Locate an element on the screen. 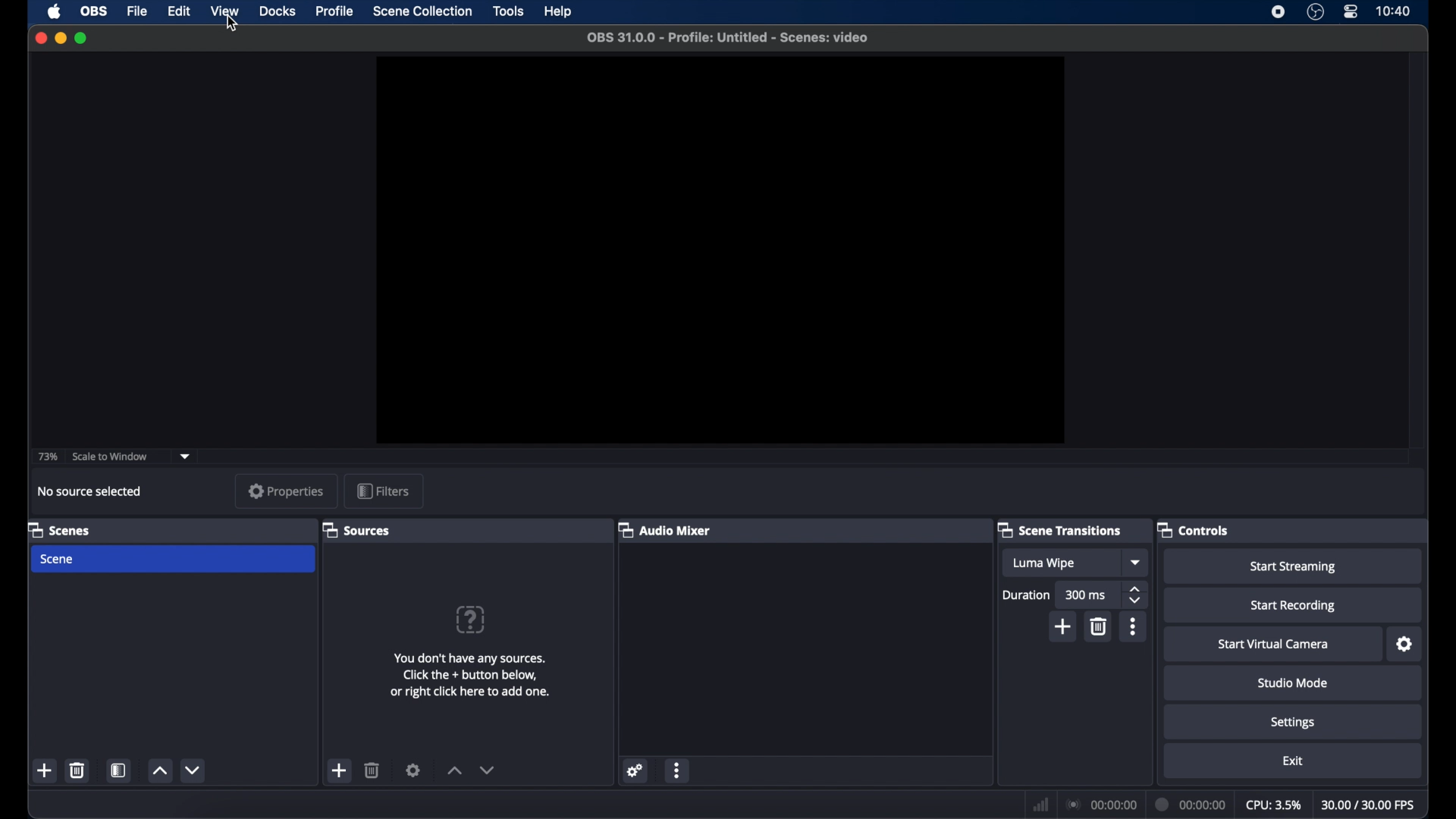  controls is located at coordinates (1193, 529).